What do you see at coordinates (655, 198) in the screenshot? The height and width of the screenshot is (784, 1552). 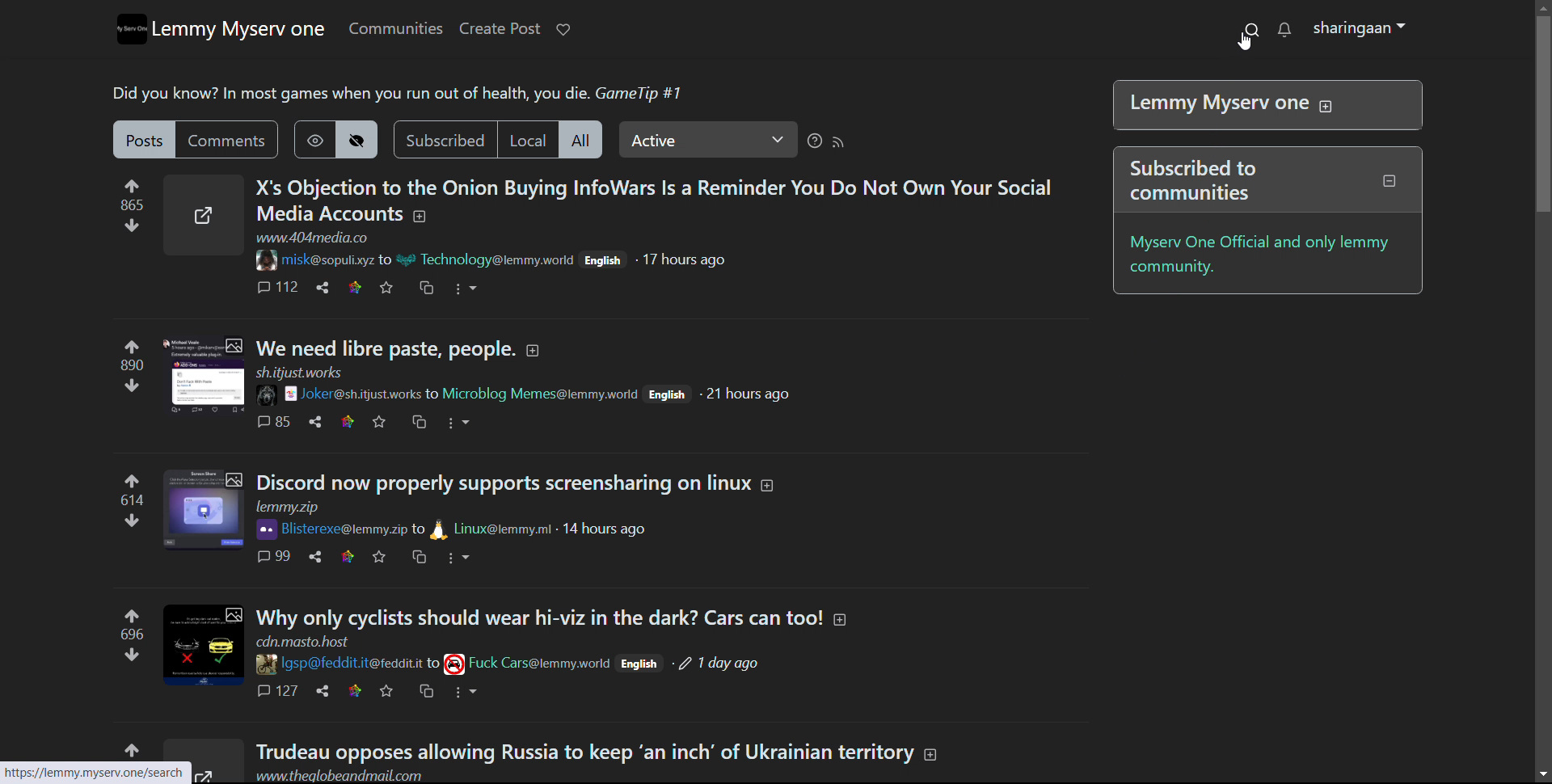 I see `Post on "X's Objection to the Onion Buying InfoWars Is a Reminder You Do Not Own Your SocialMedia Accounts"` at bounding box center [655, 198].